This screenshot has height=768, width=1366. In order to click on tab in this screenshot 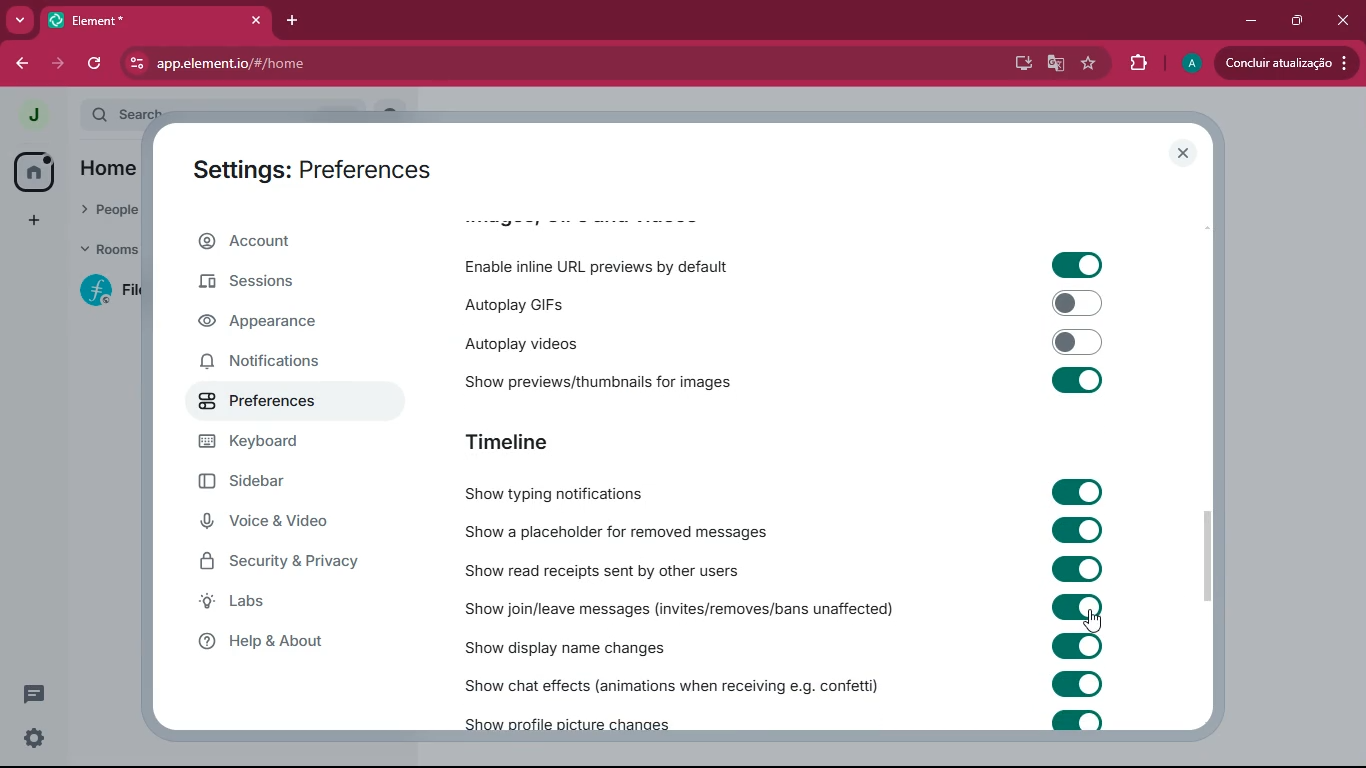, I will do `click(99, 20)`.